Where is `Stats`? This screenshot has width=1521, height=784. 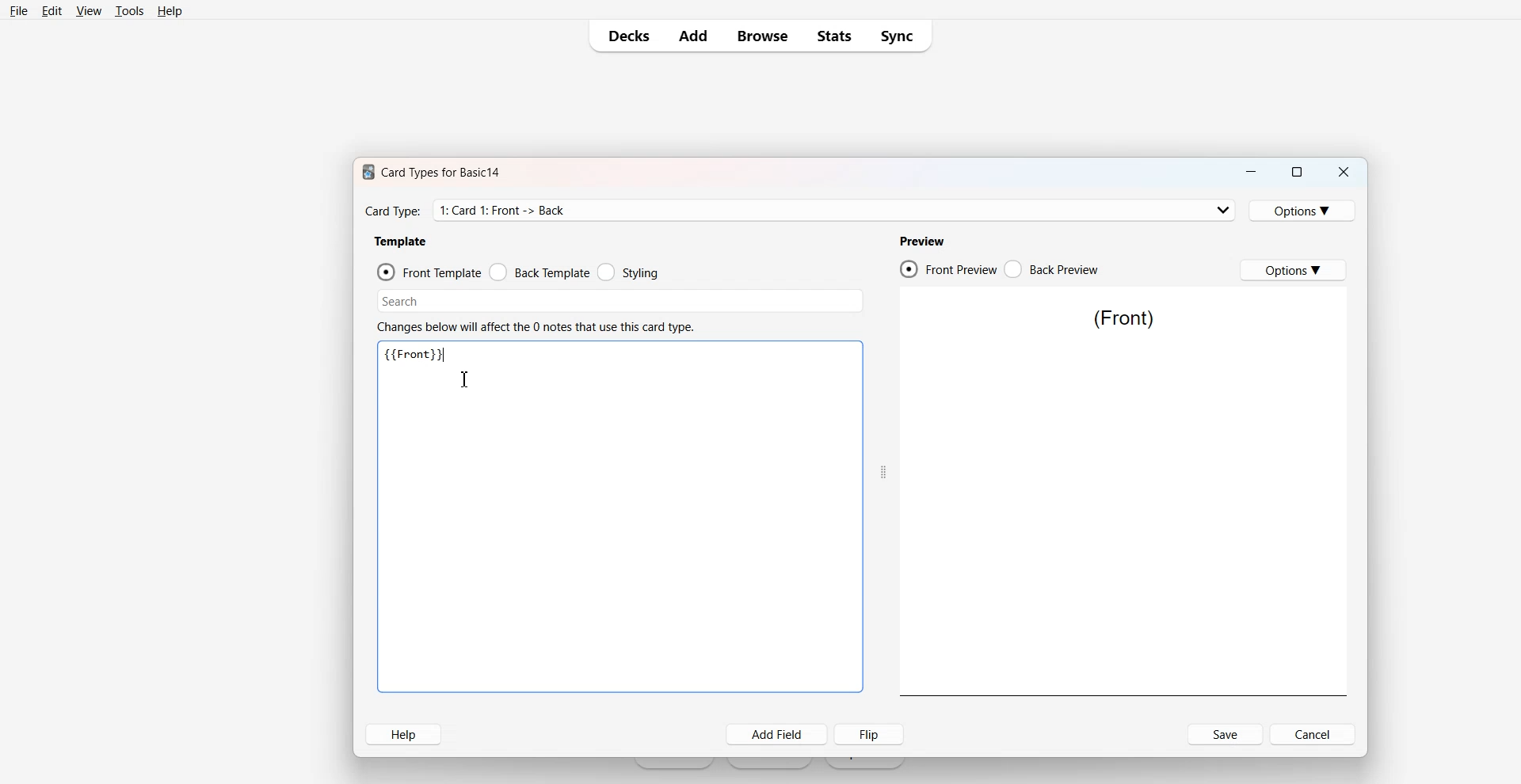 Stats is located at coordinates (833, 36).